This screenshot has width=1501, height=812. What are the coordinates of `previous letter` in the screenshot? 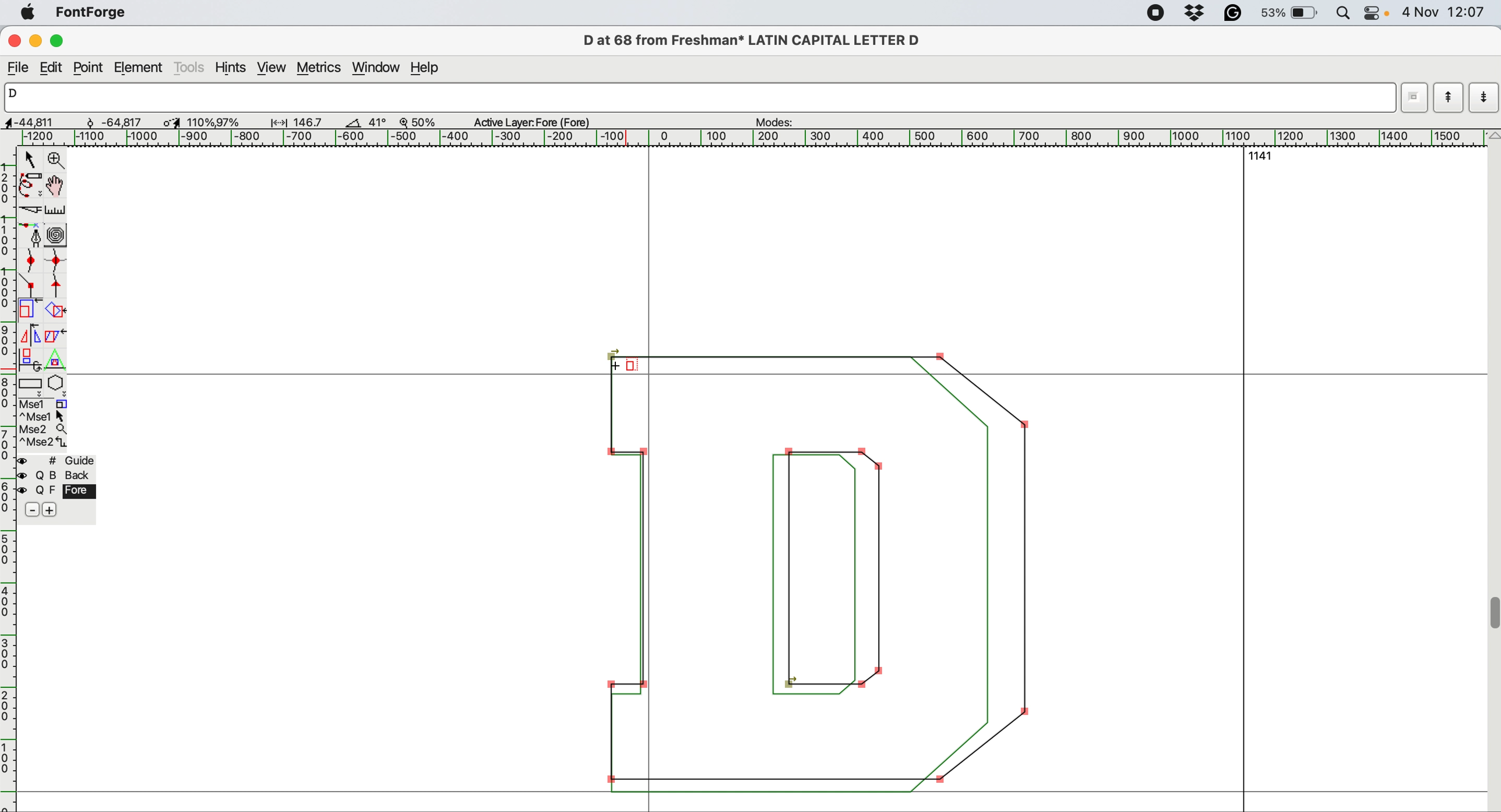 It's located at (1449, 98).